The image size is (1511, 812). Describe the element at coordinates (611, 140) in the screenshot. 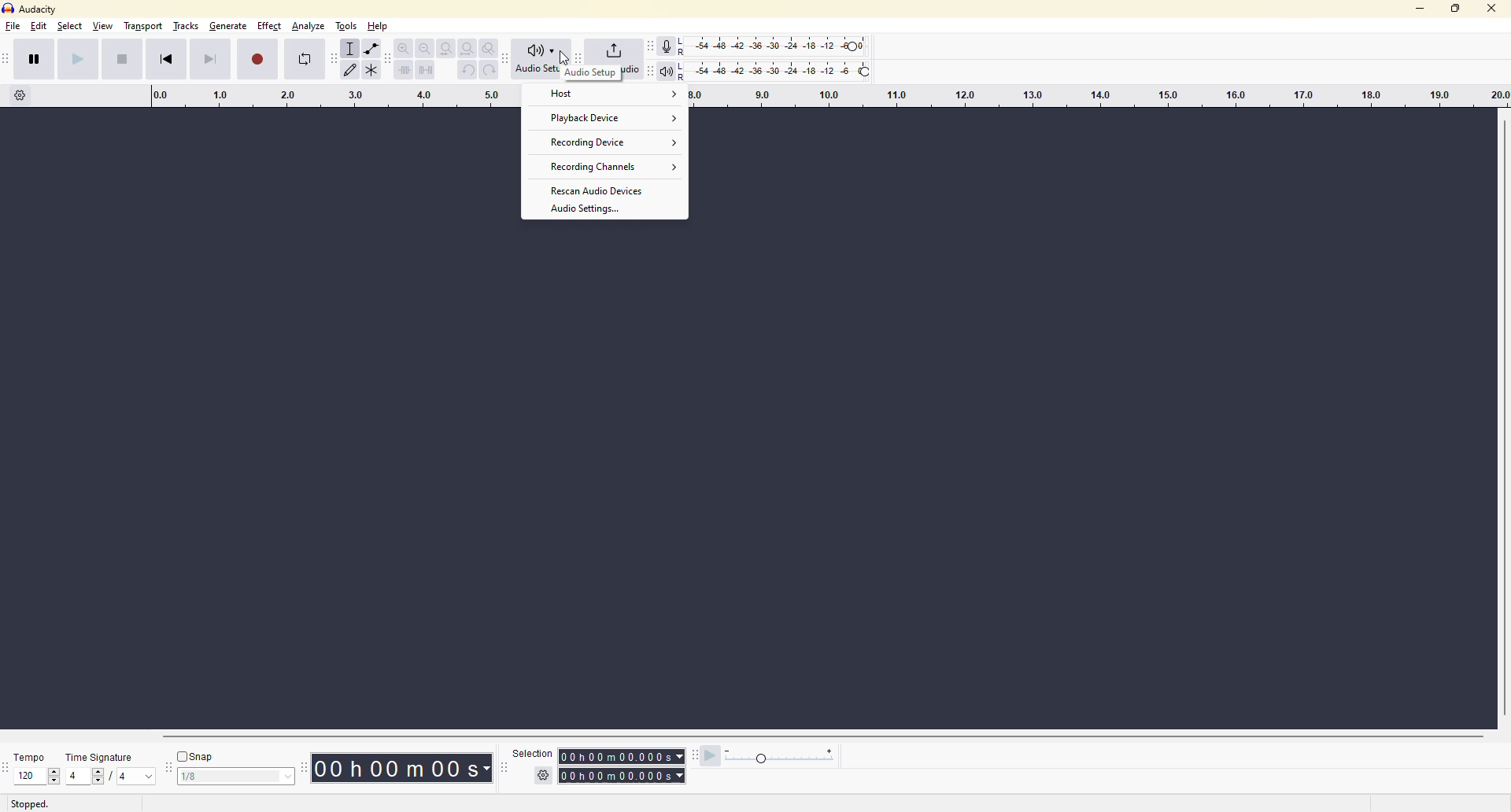

I see `Recording Device` at that location.